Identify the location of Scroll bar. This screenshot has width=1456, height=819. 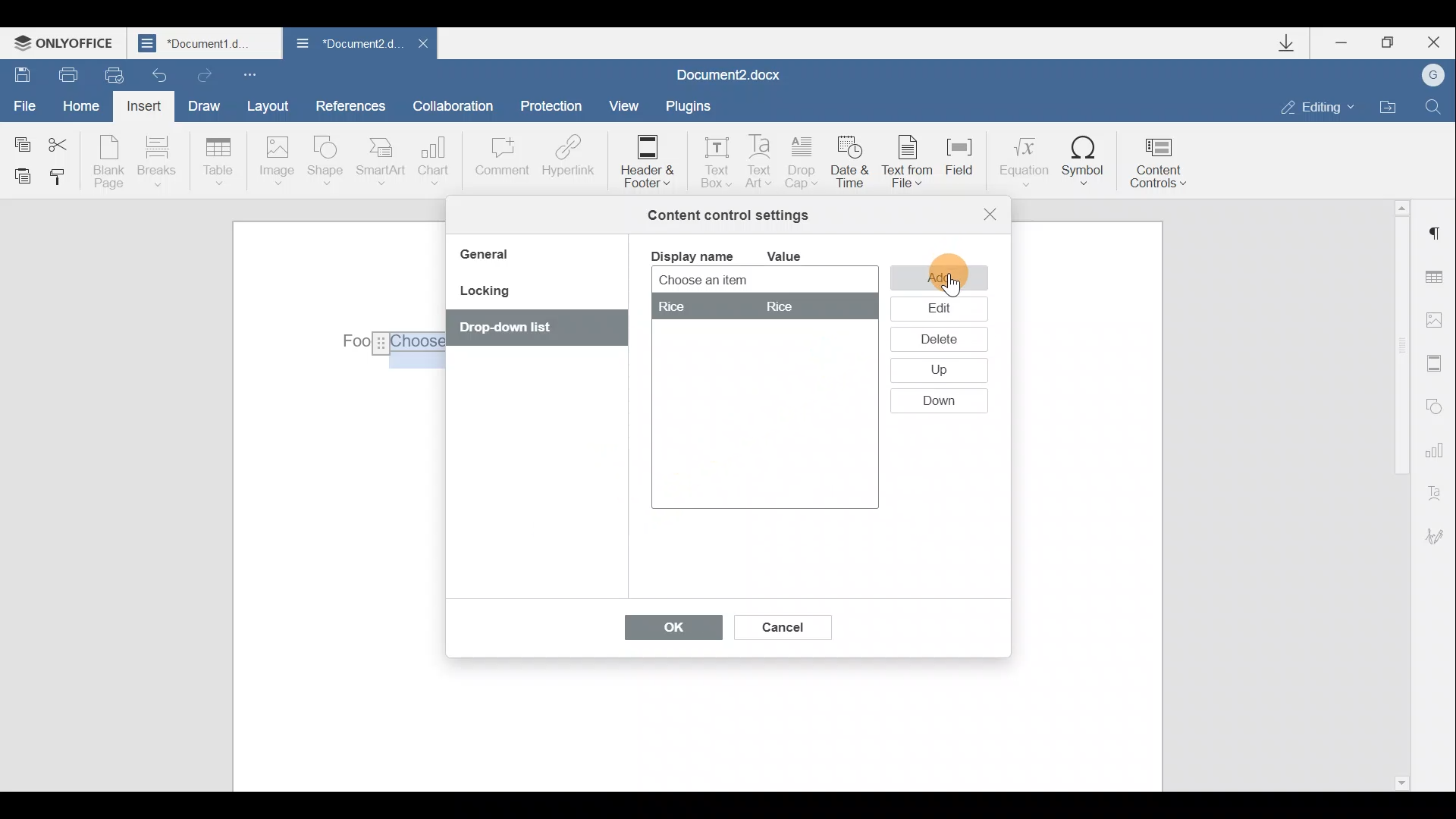
(1397, 493).